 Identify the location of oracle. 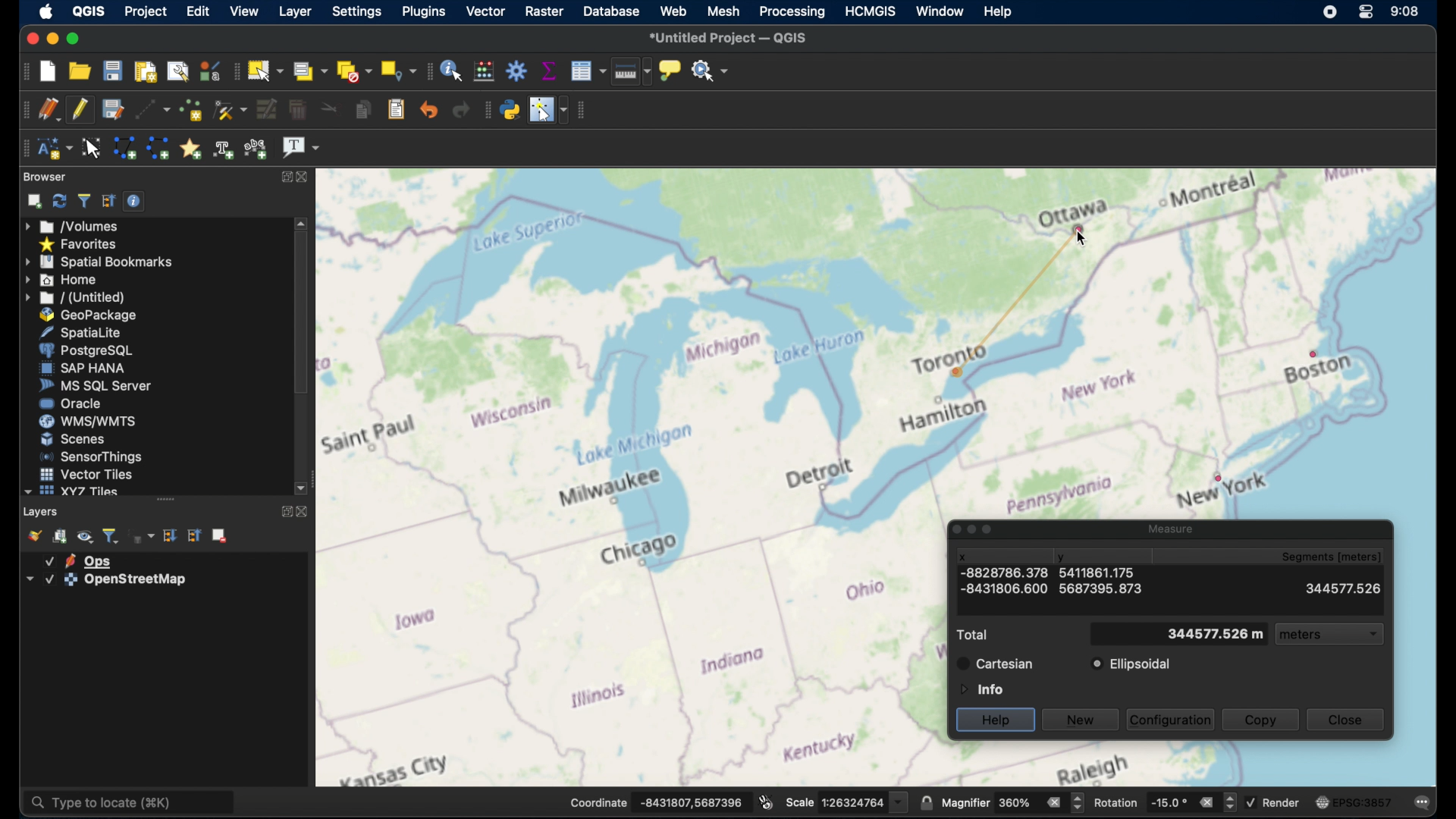
(71, 404).